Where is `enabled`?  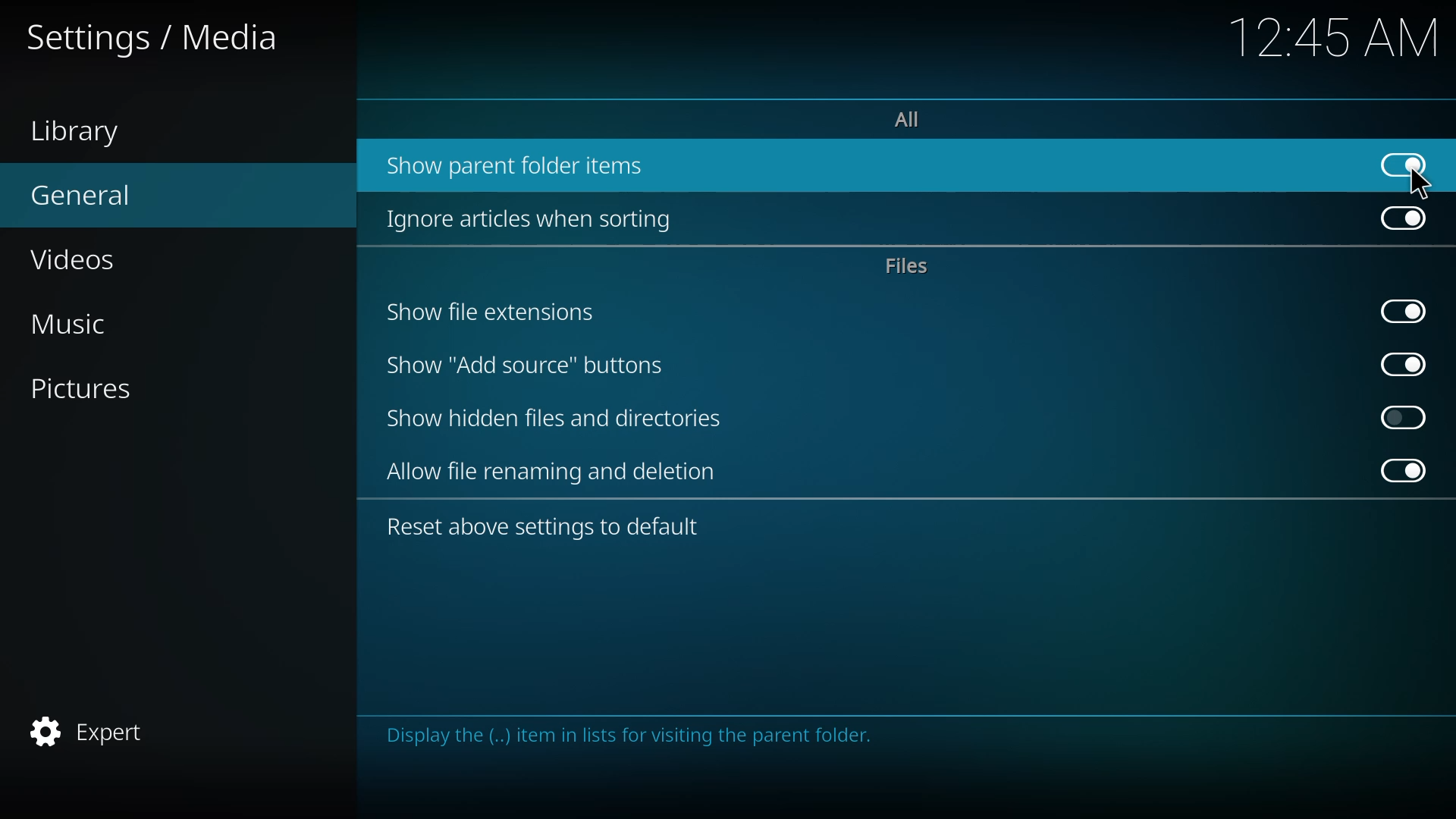
enabled is located at coordinates (1402, 219).